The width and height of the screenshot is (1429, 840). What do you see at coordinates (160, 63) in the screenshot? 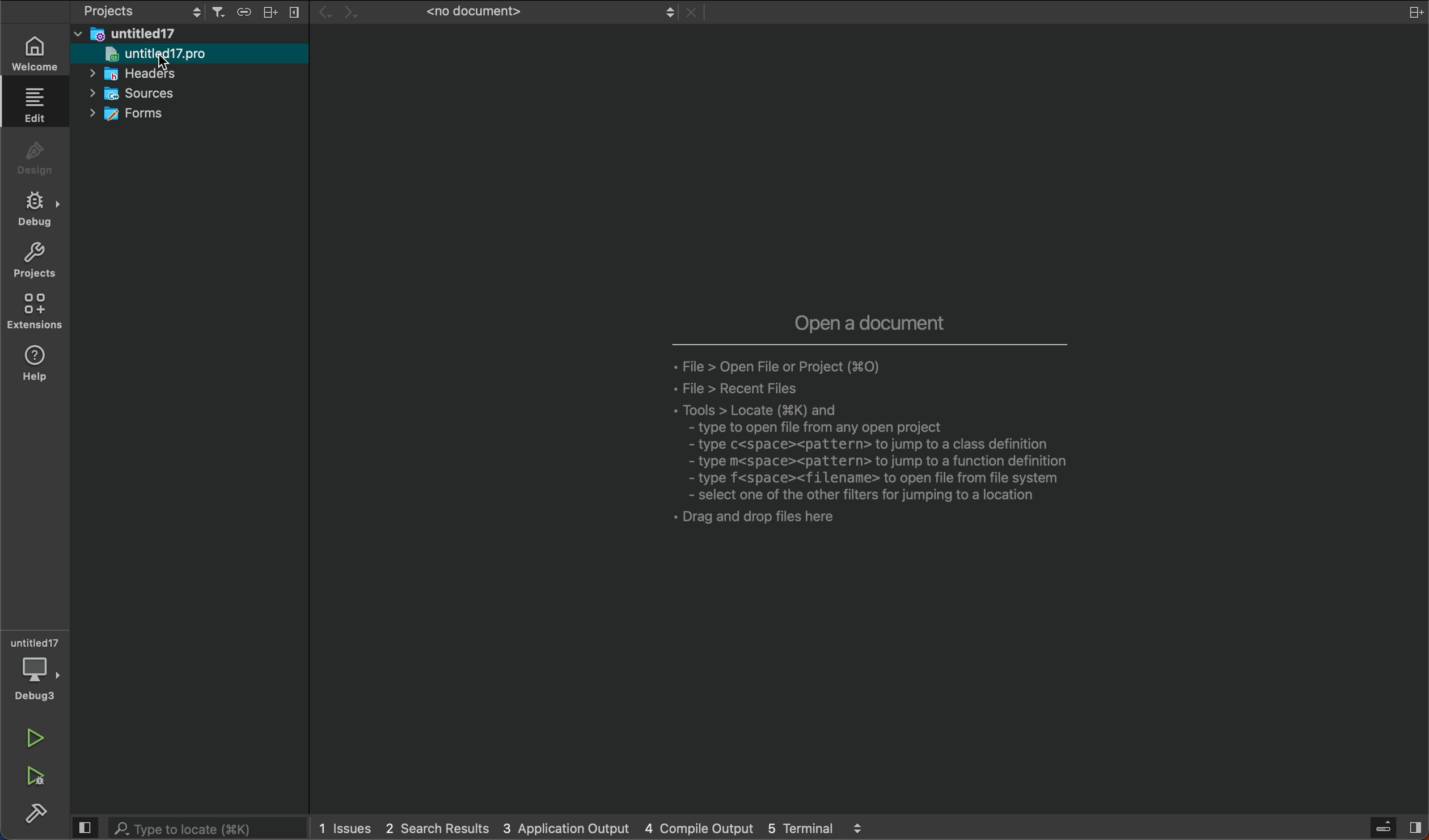
I see ` cursor` at bounding box center [160, 63].